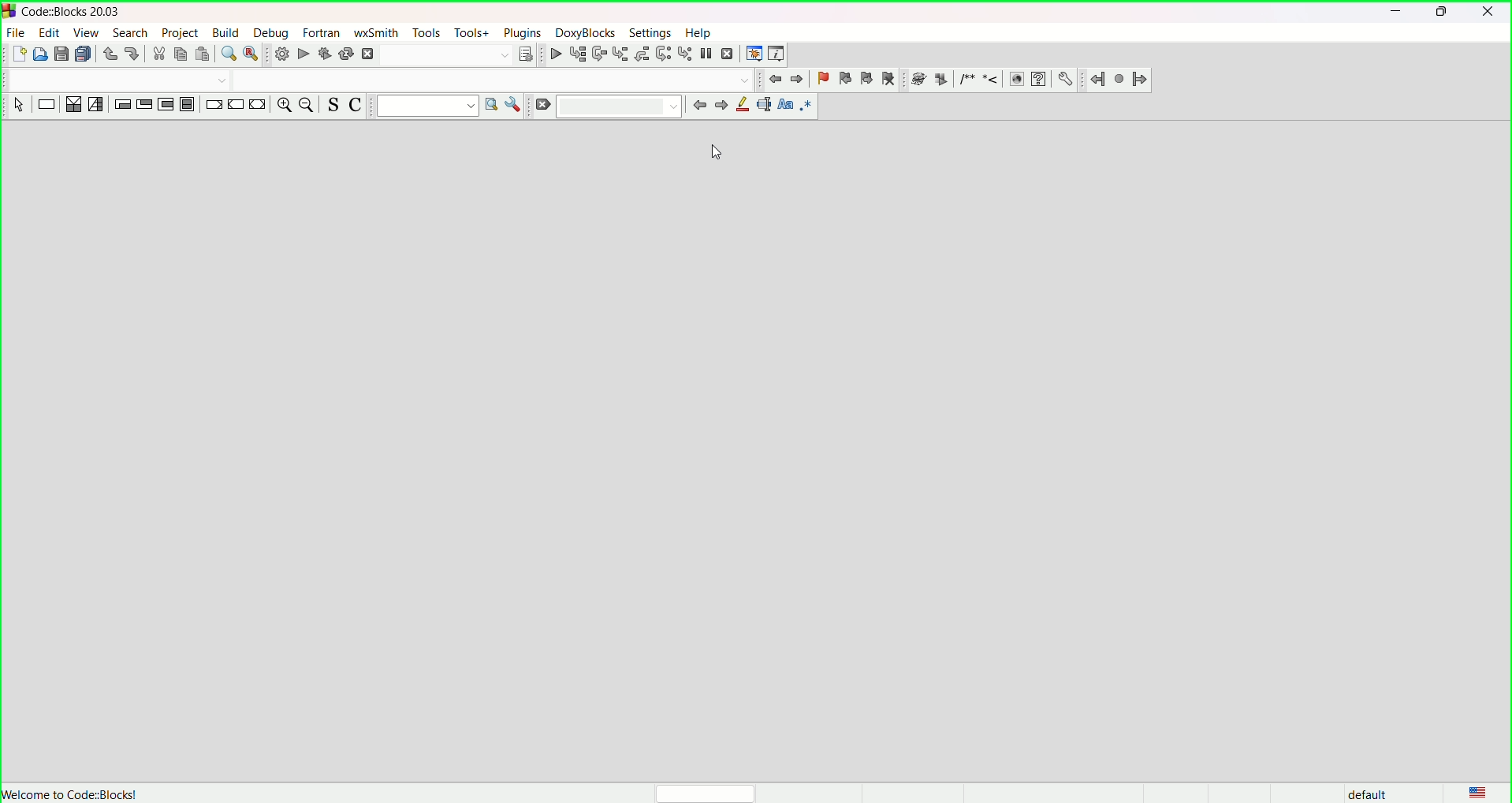 The width and height of the screenshot is (1512, 803). I want to click on minimize, so click(1395, 13).